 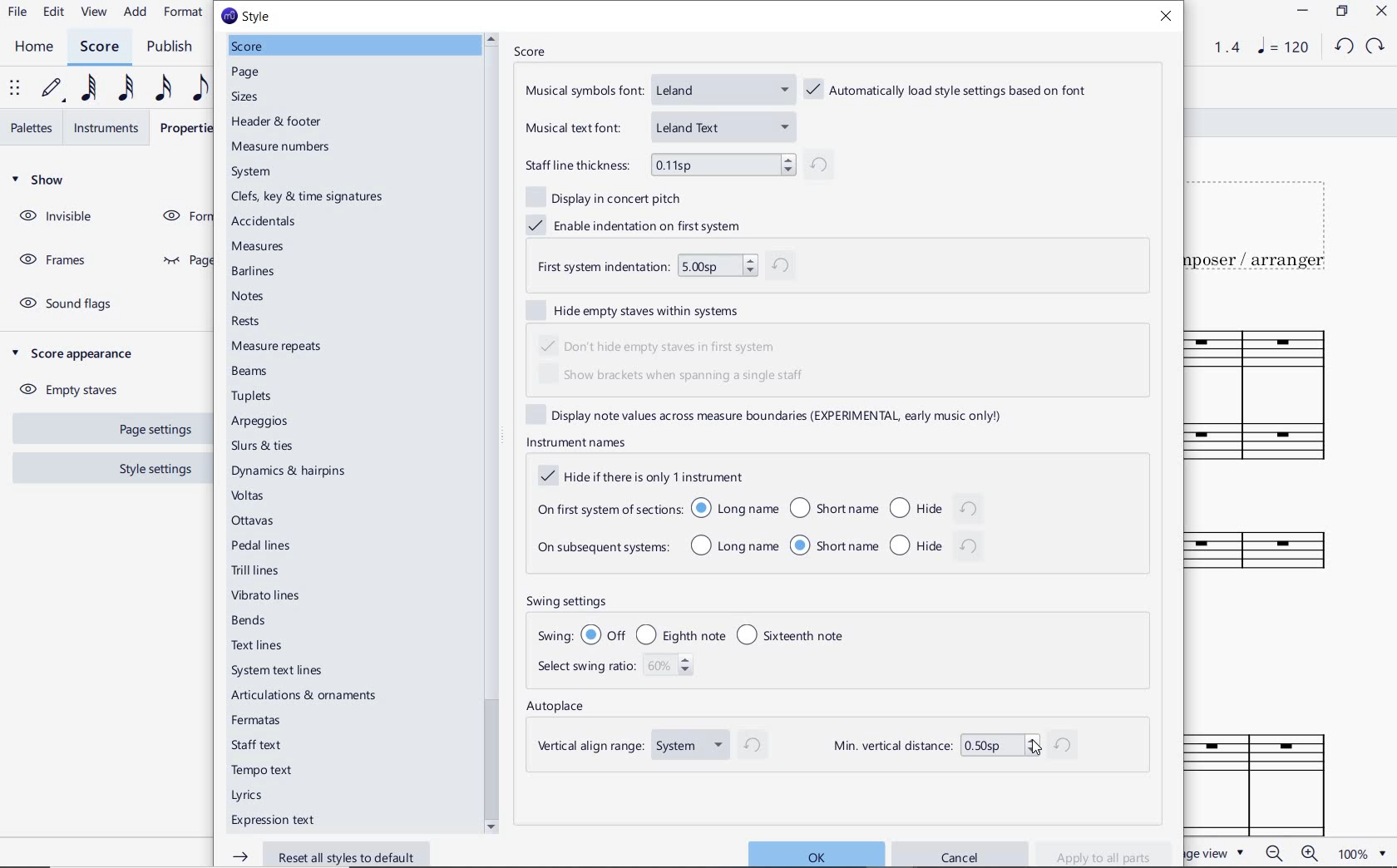 What do you see at coordinates (247, 45) in the screenshot?
I see `score` at bounding box center [247, 45].